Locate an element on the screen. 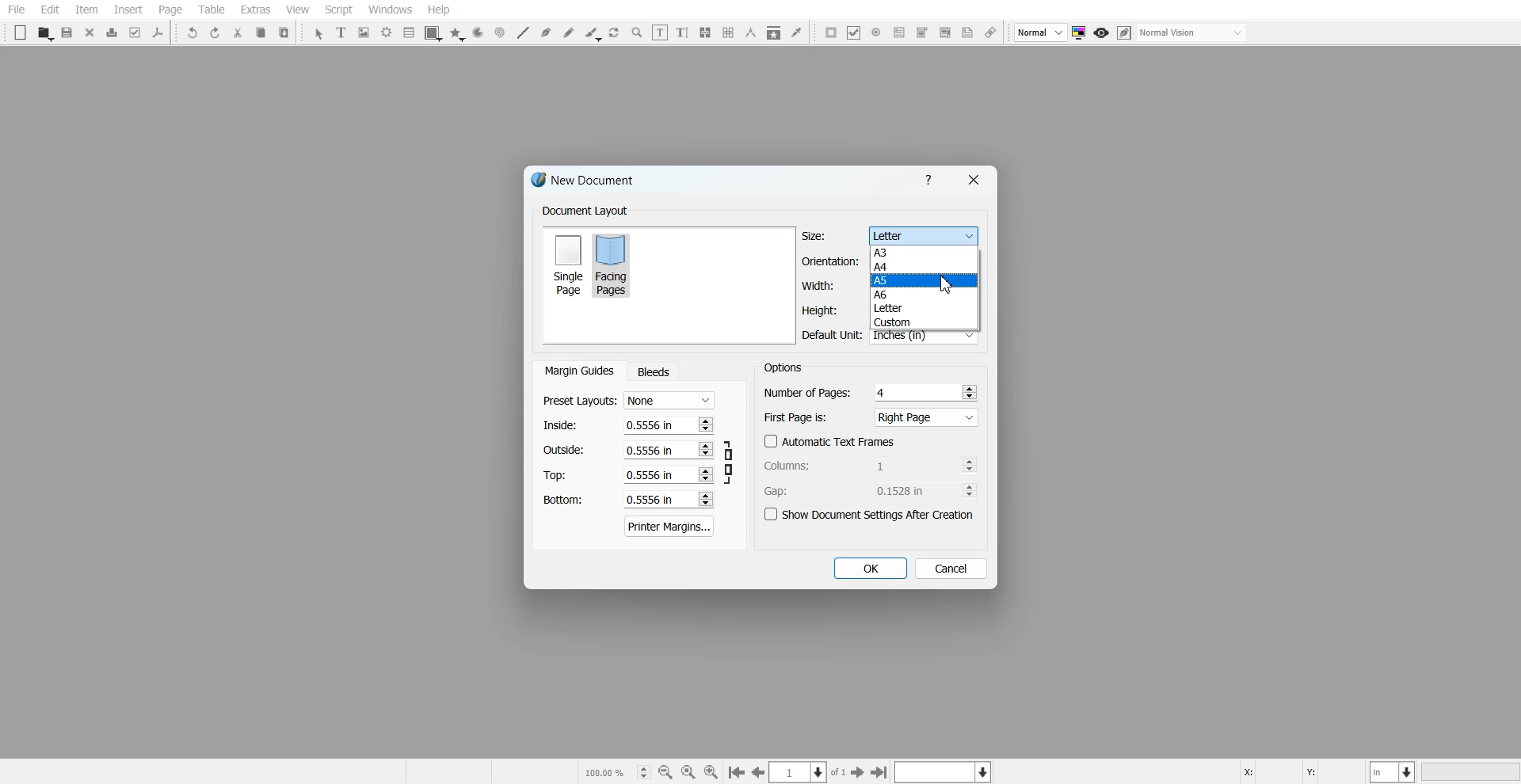 Image resolution: width=1521 pixels, height=784 pixels. Go to the first page is located at coordinates (881, 772).